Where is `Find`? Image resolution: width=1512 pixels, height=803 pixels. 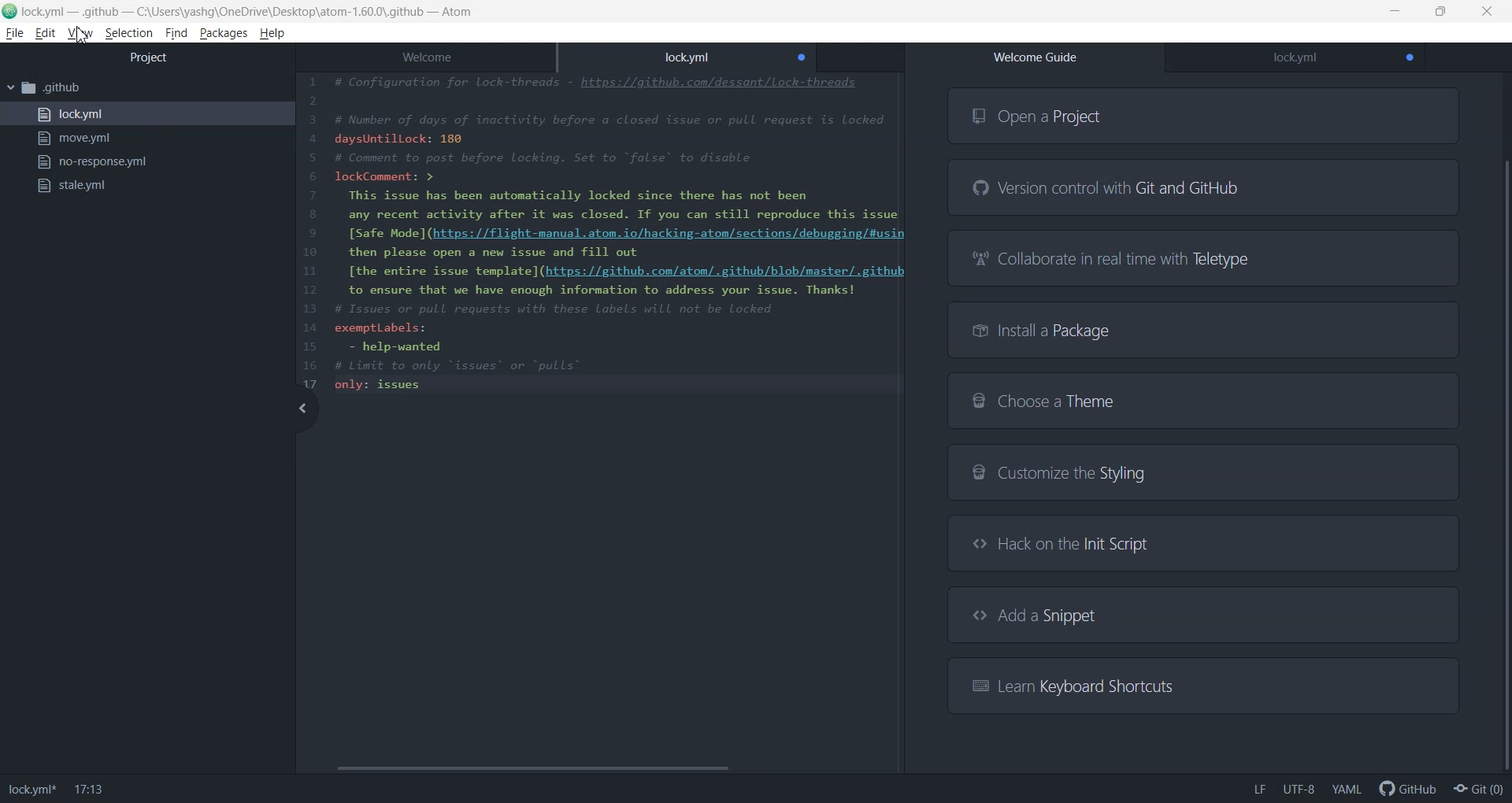 Find is located at coordinates (176, 34).